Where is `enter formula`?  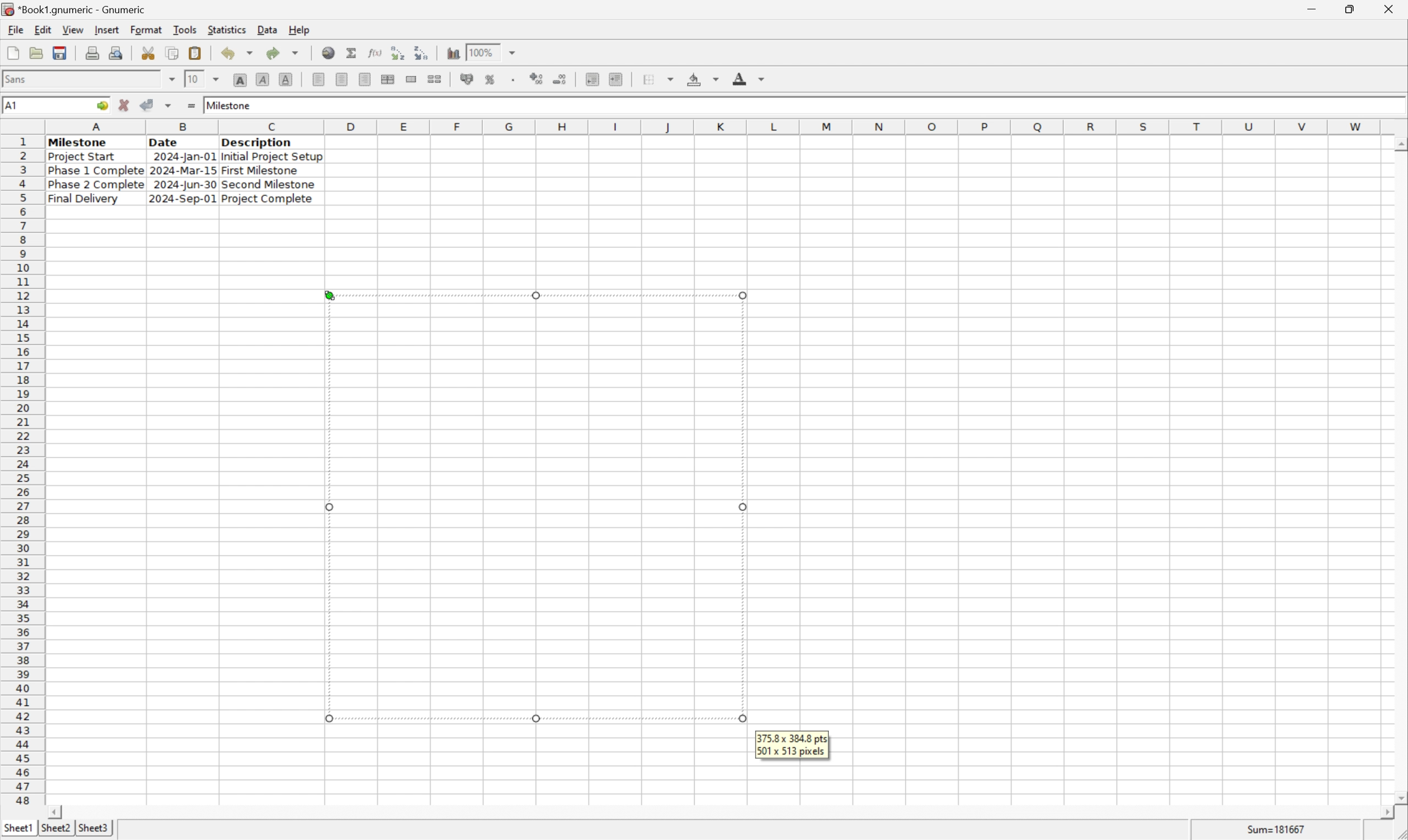 enter formula is located at coordinates (190, 106).